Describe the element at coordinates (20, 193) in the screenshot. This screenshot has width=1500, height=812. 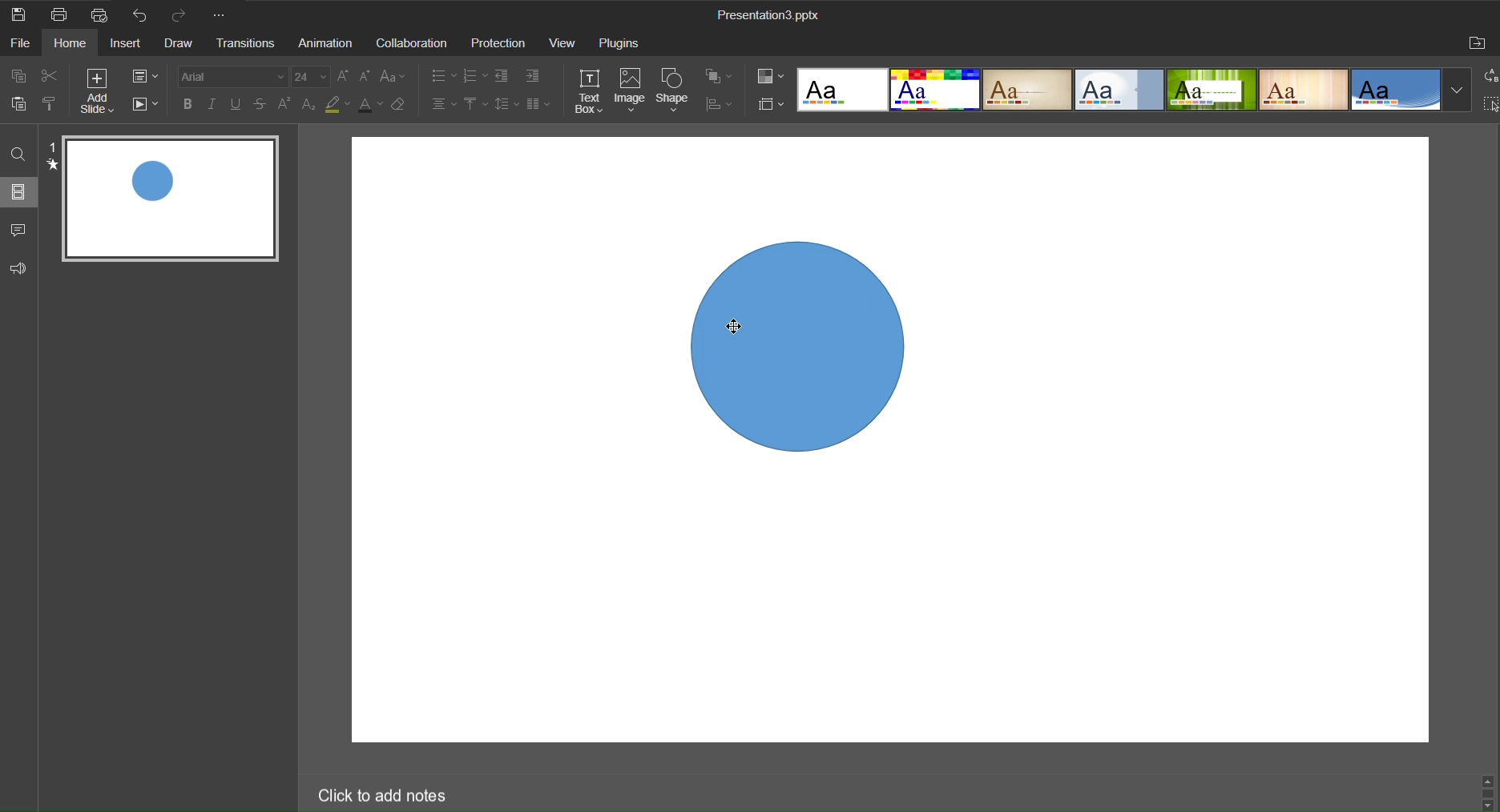
I see `Slide` at that location.